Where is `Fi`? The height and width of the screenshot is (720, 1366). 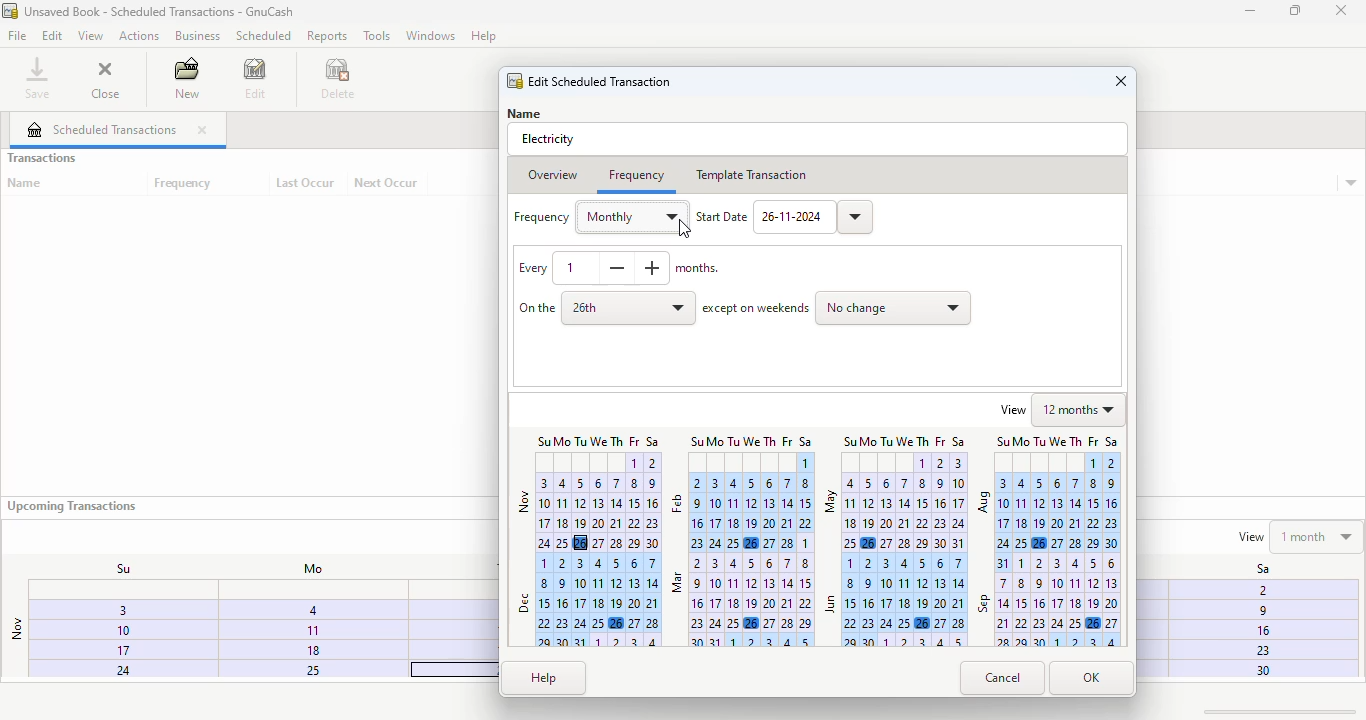
Fi is located at coordinates (1259, 589).